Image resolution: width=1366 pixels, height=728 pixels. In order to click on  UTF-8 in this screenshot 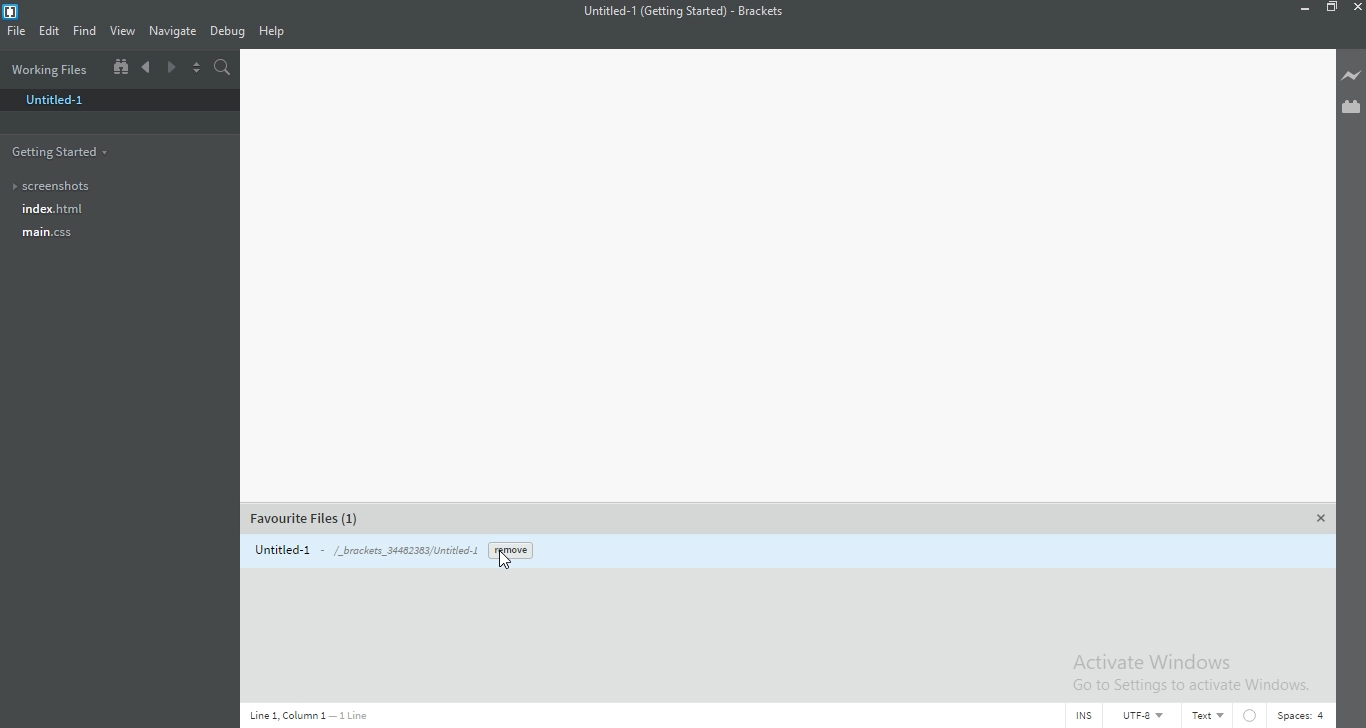, I will do `click(1149, 715)`.